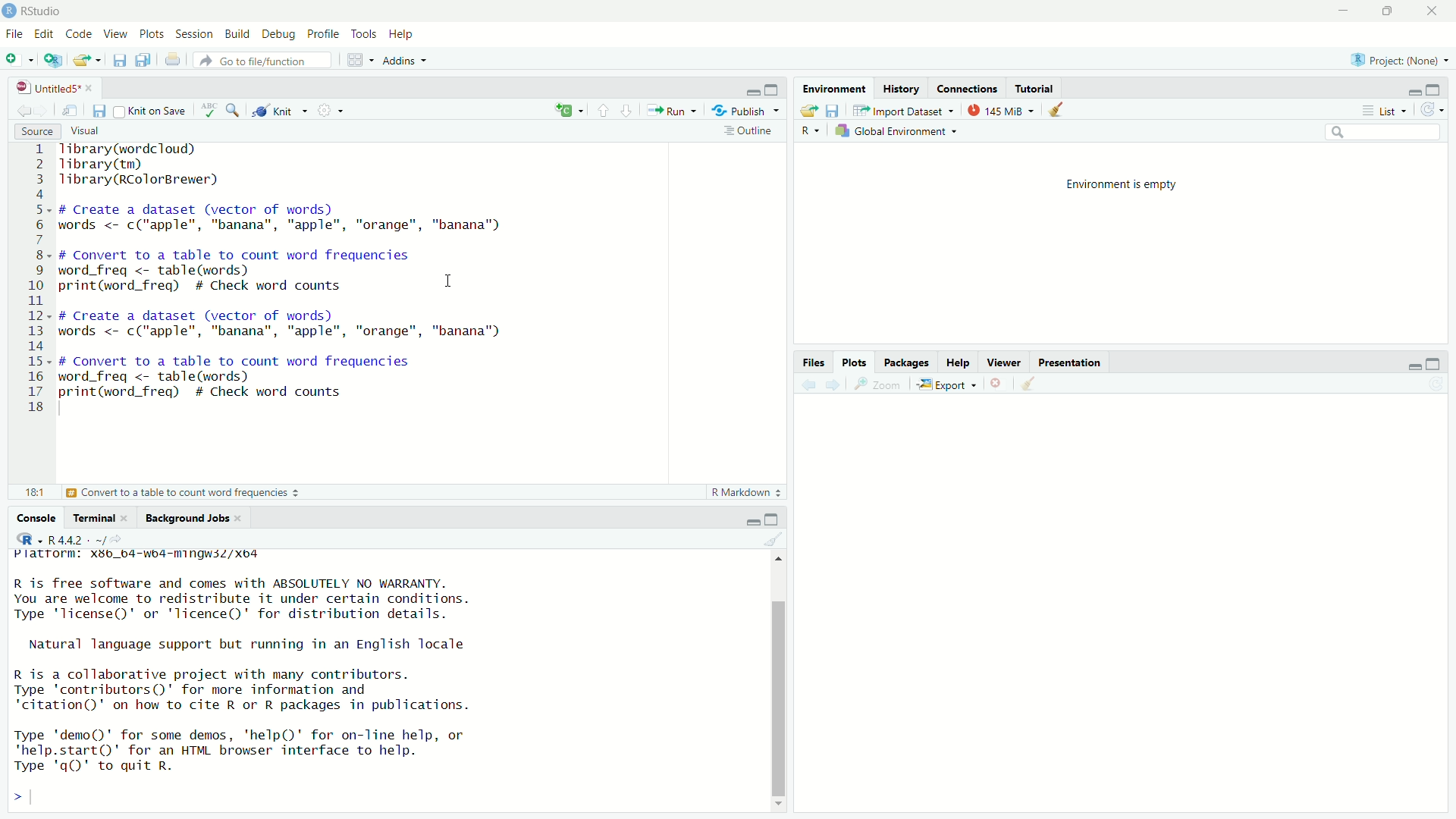 Image resolution: width=1456 pixels, height=819 pixels. Describe the element at coordinates (115, 34) in the screenshot. I see `View` at that location.